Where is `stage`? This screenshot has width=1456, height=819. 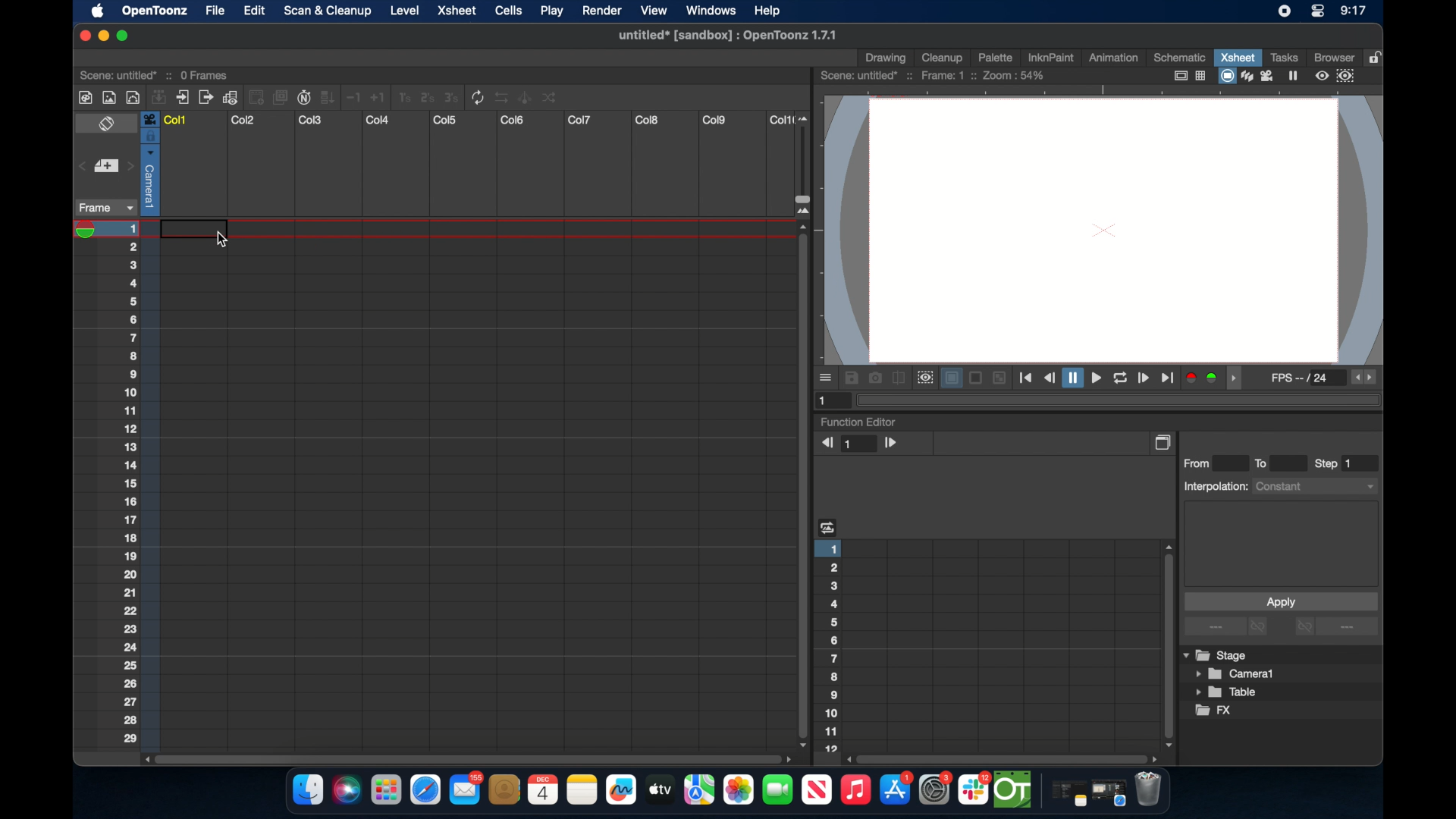 stage is located at coordinates (1216, 656).